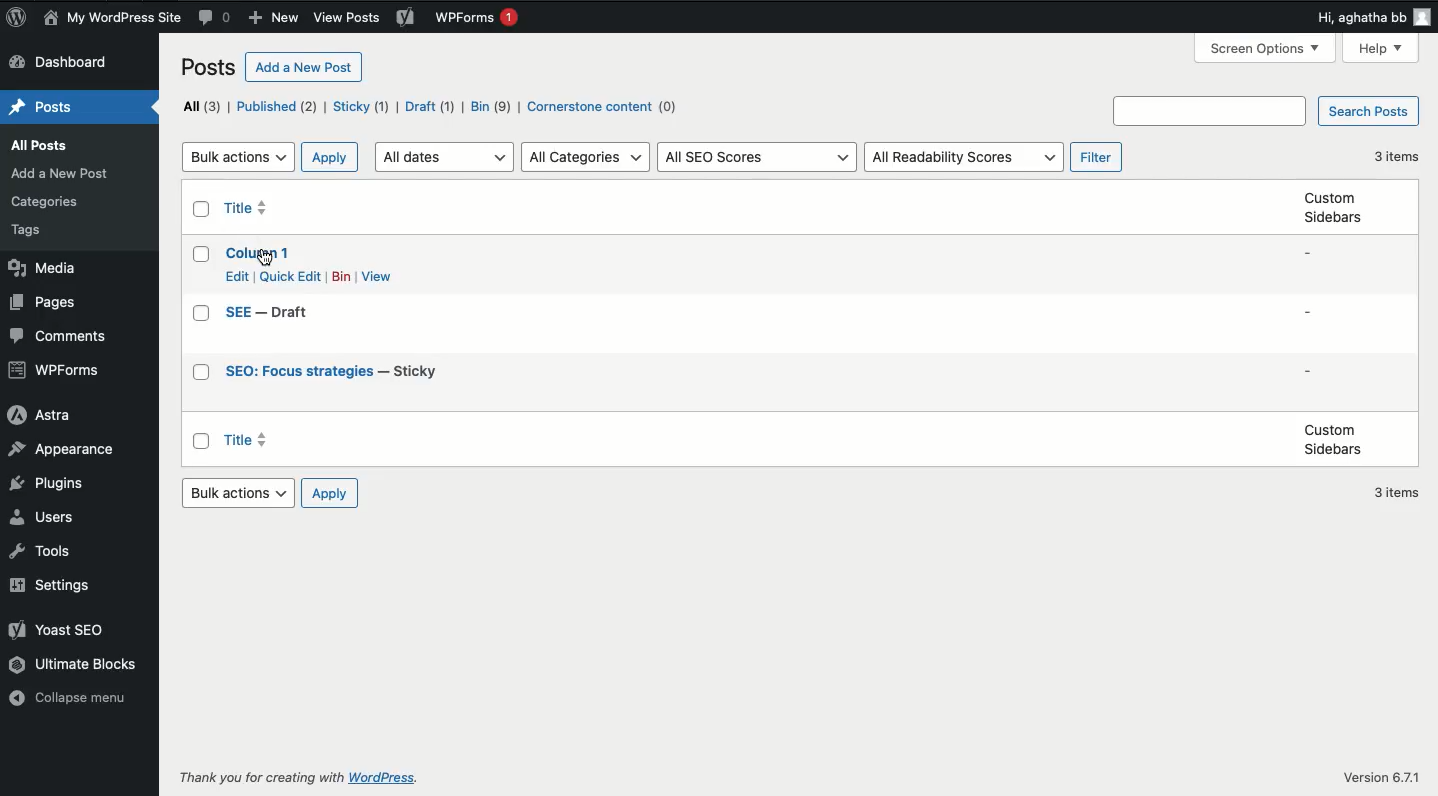 The height and width of the screenshot is (796, 1438). What do you see at coordinates (343, 277) in the screenshot?
I see `Bin` at bounding box center [343, 277].